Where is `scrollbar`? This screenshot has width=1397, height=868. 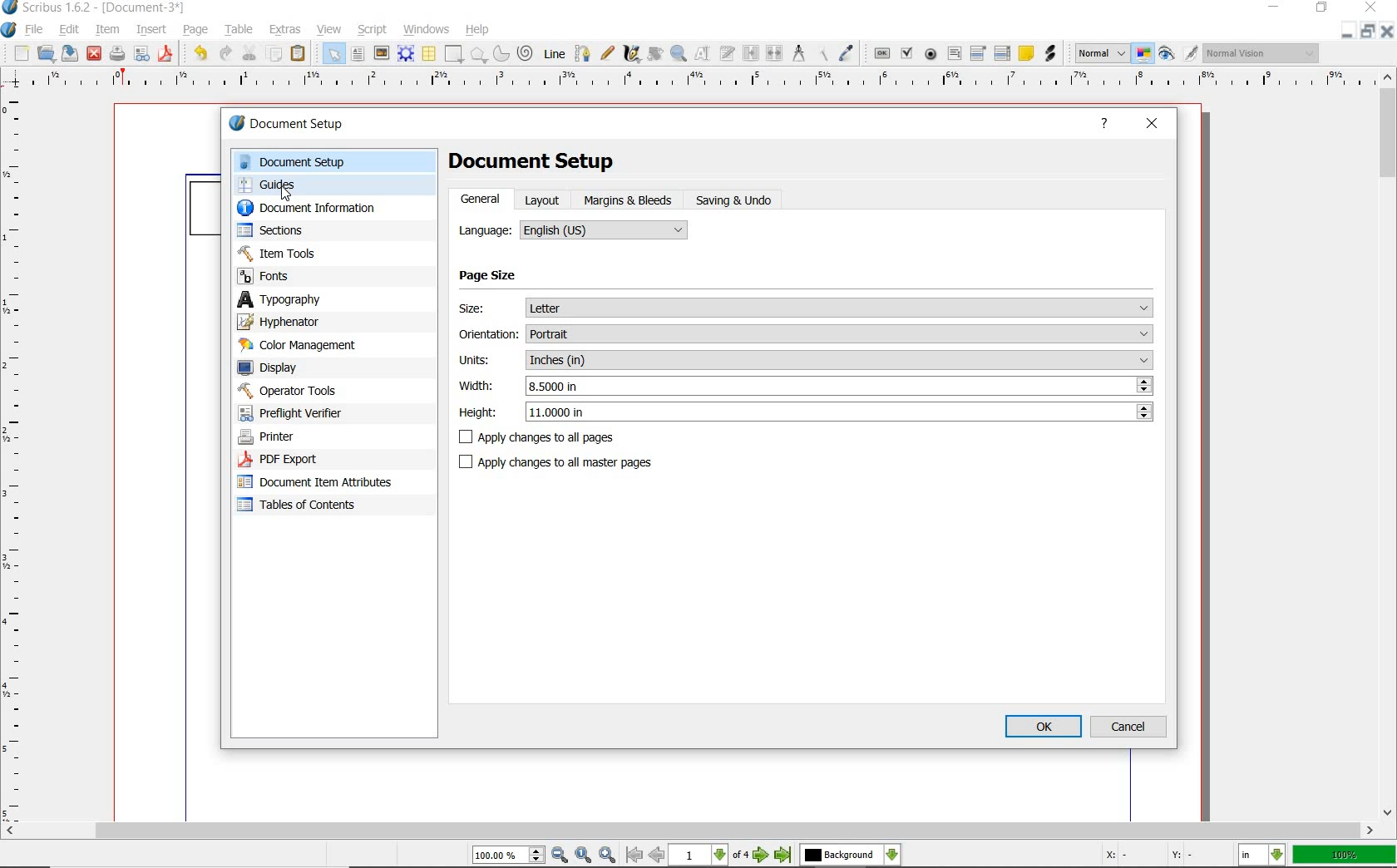 scrollbar is located at coordinates (1389, 444).